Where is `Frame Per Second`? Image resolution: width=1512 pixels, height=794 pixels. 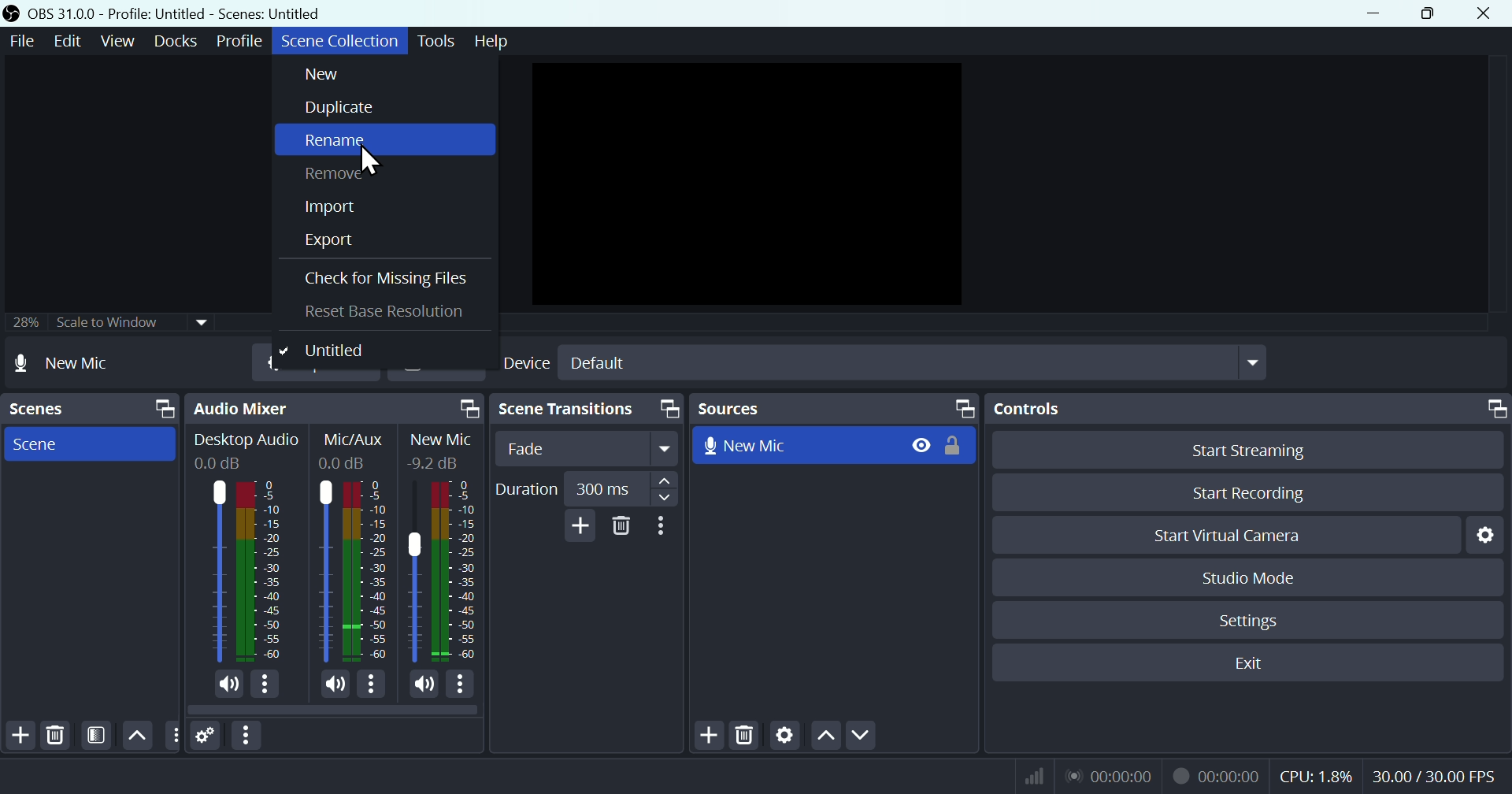
Frame Per Second is located at coordinates (1435, 777).